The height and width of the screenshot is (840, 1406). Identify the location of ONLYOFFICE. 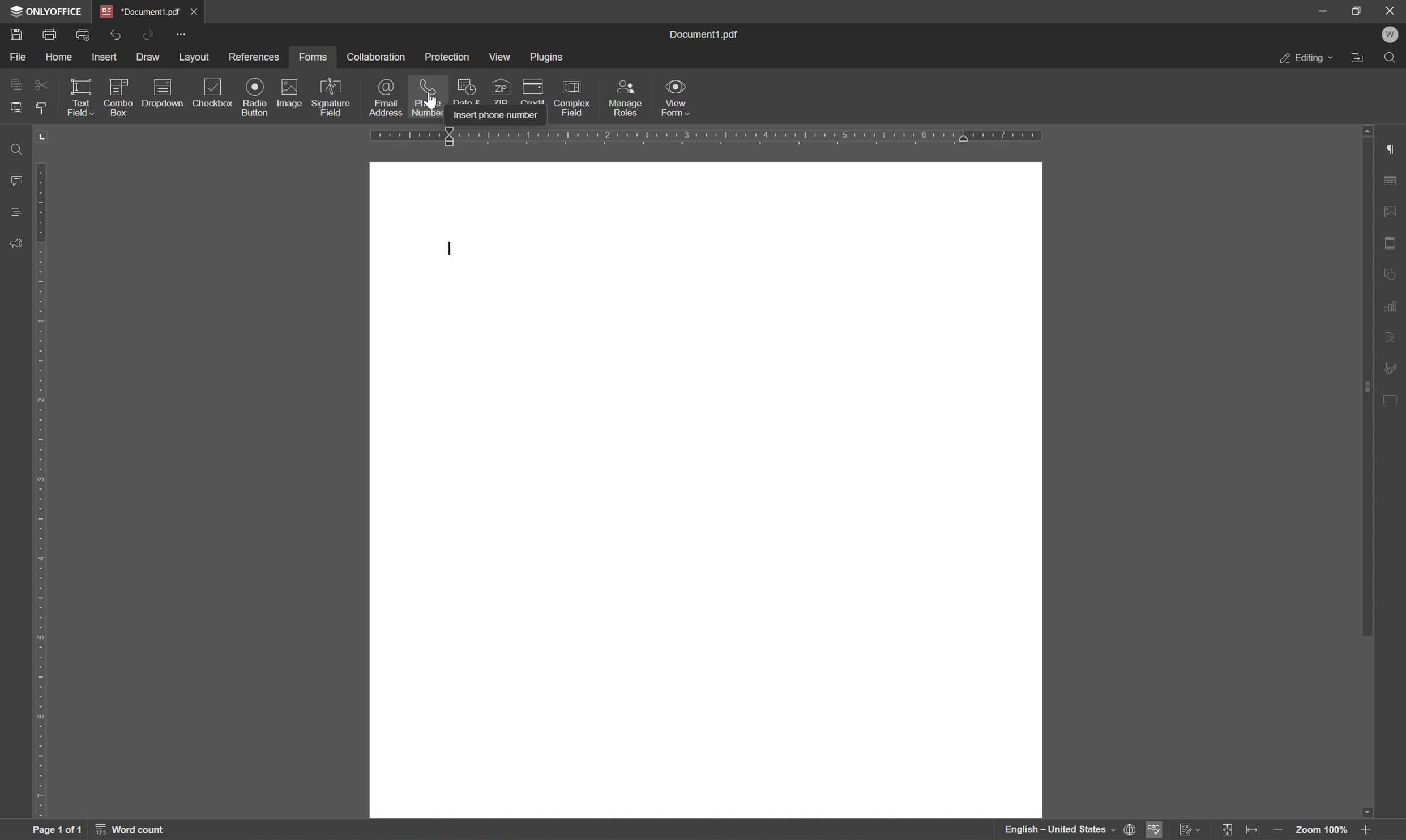
(42, 9).